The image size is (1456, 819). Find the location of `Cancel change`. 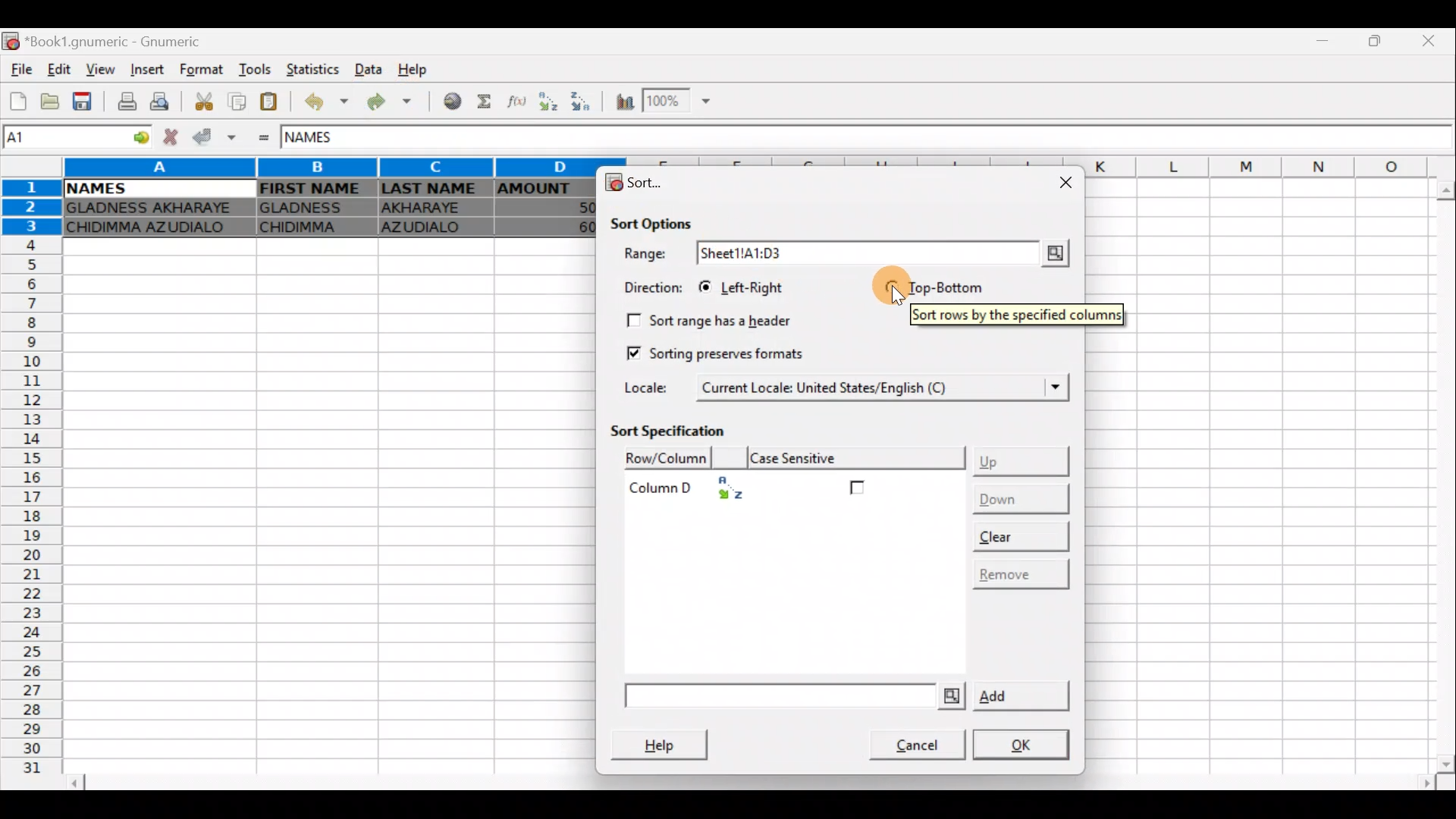

Cancel change is located at coordinates (168, 138).